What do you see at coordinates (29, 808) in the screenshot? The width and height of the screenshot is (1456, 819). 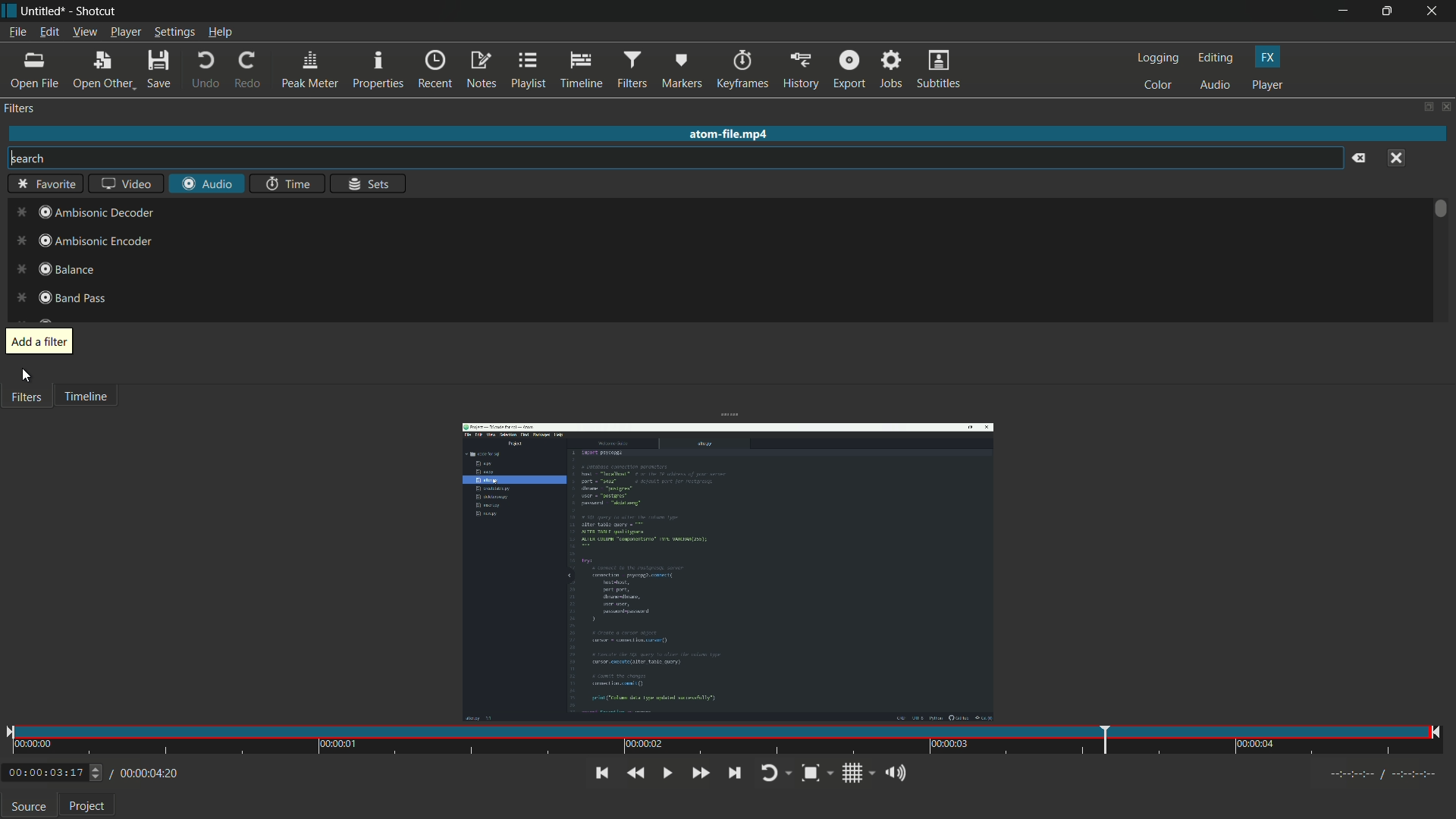 I see `source` at bounding box center [29, 808].